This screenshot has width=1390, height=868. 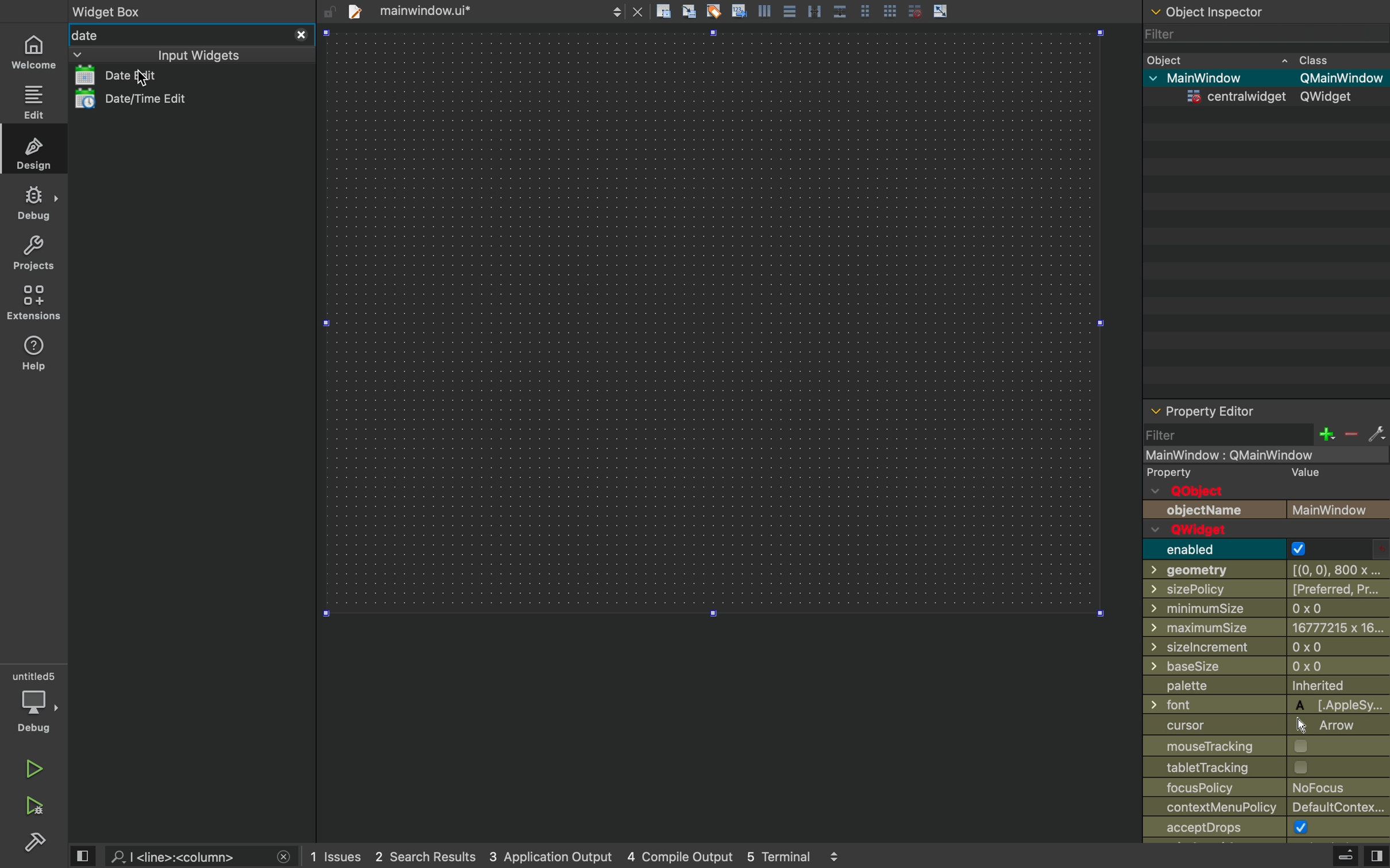 What do you see at coordinates (1267, 79) in the screenshot?
I see `mainwindow` at bounding box center [1267, 79].